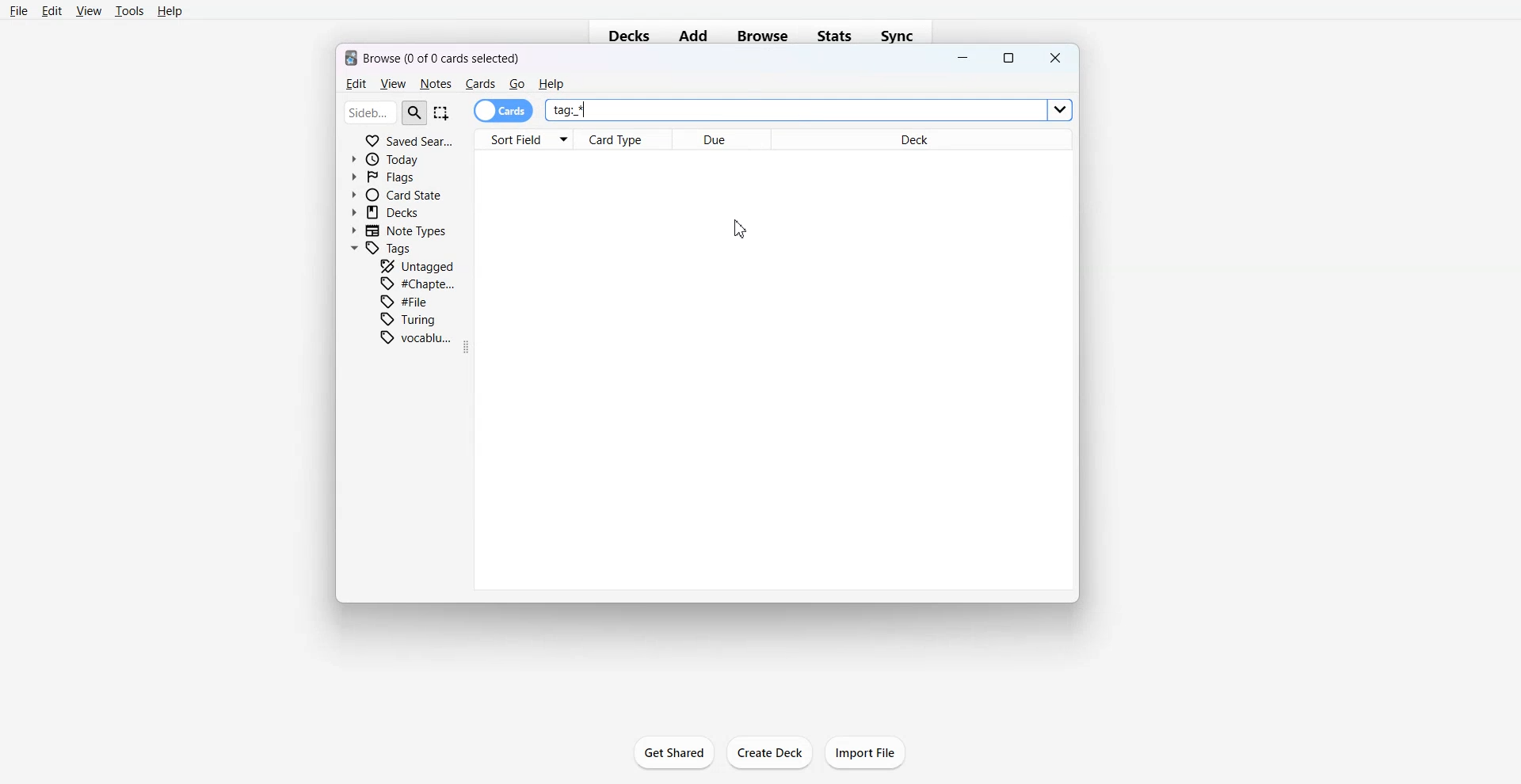 This screenshot has width=1521, height=784. Describe the element at coordinates (743, 228) in the screenshot. I see `Cursor` at that location.